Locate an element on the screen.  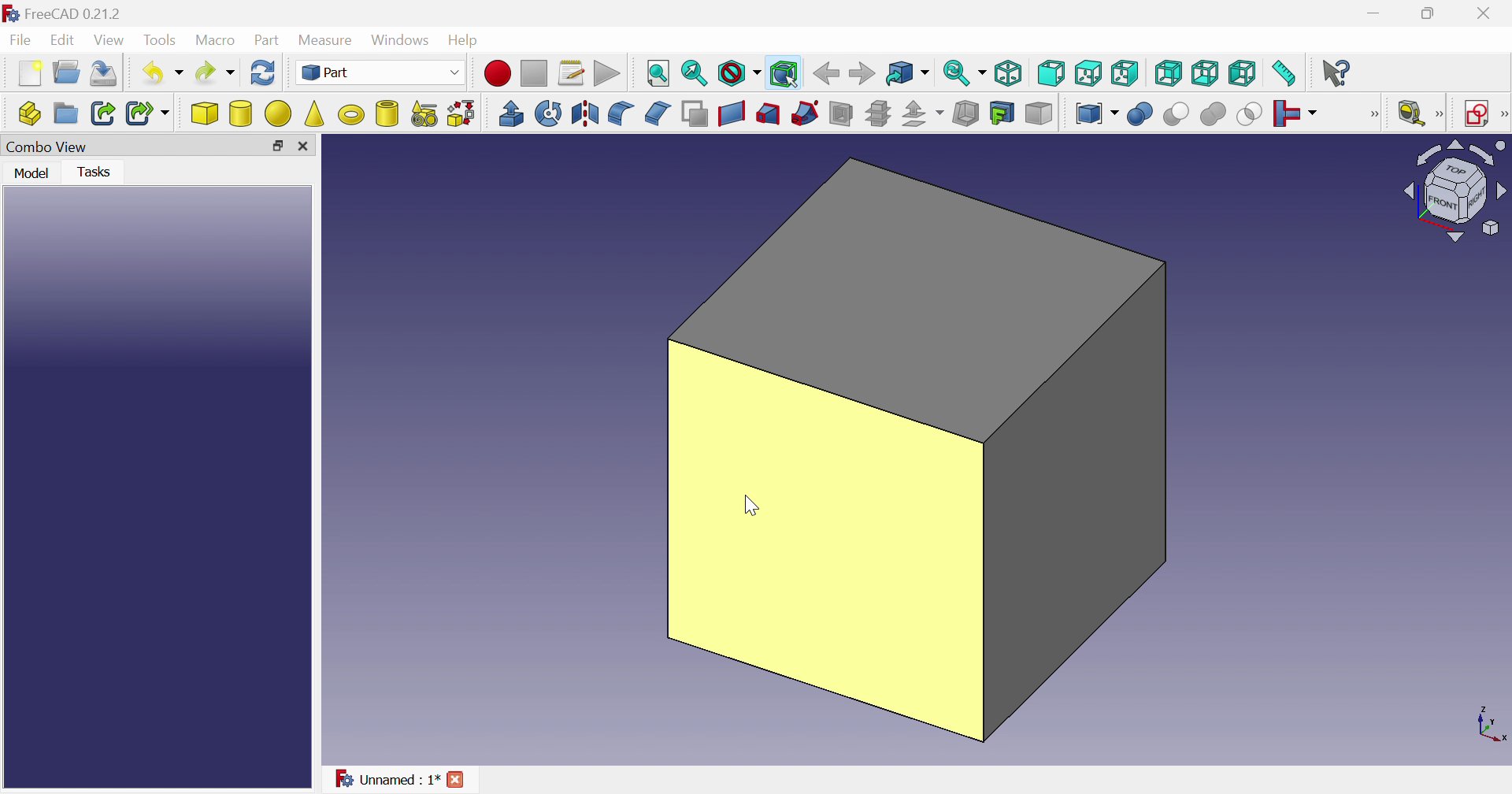
Create primitives... is located at coordinates (424, 114).